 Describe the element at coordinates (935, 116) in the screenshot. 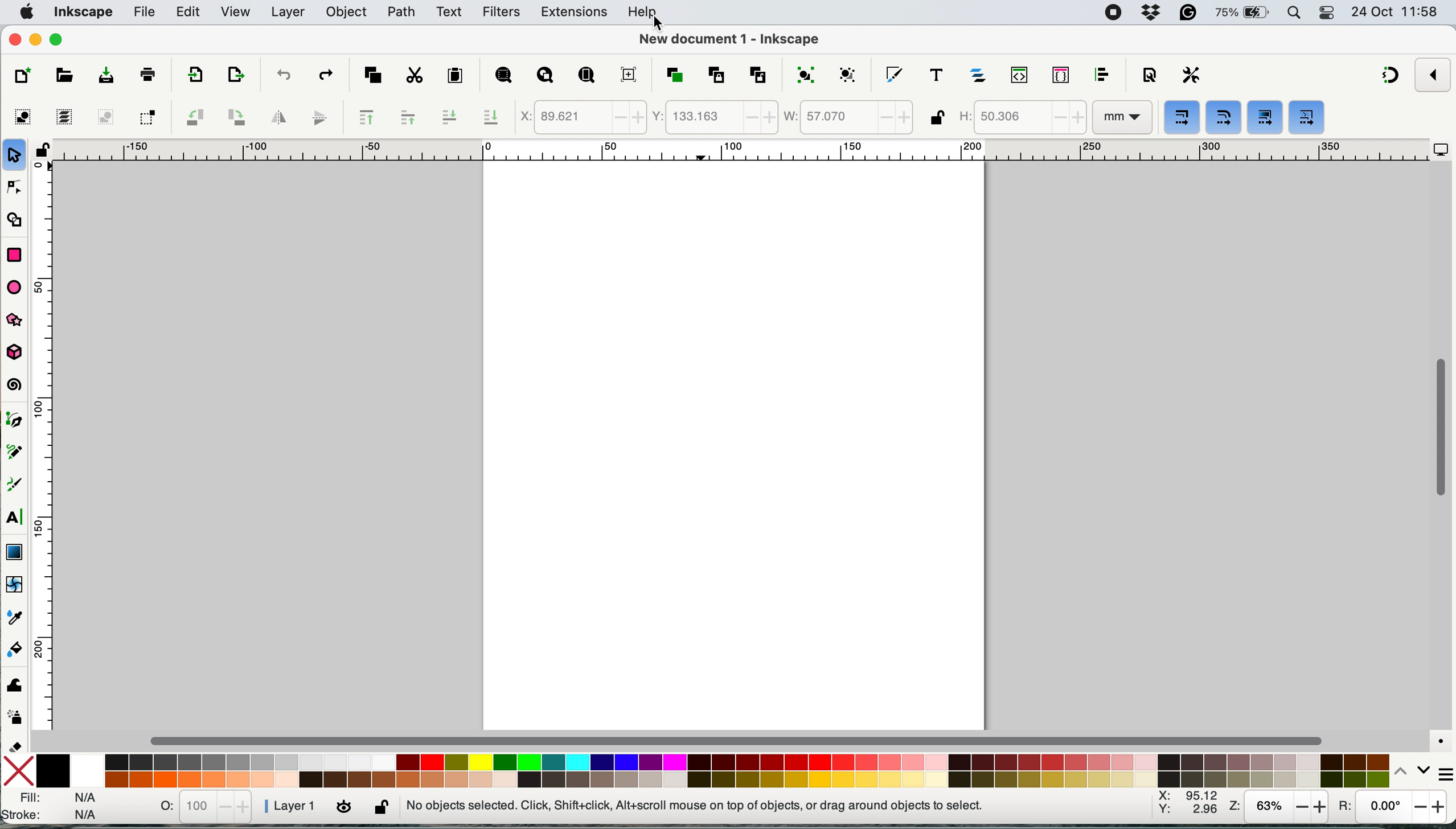

I see `lock unlock` at that location.